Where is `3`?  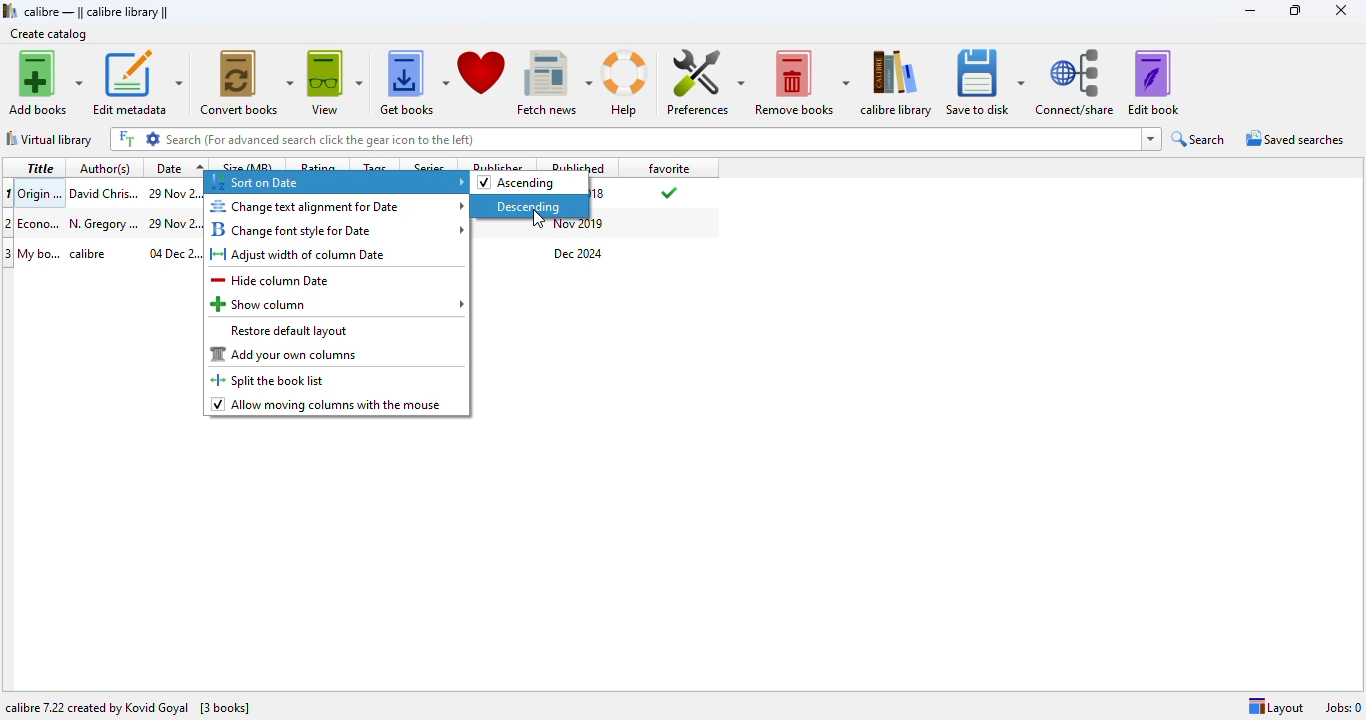
3 is located at coordinates (9, 254).